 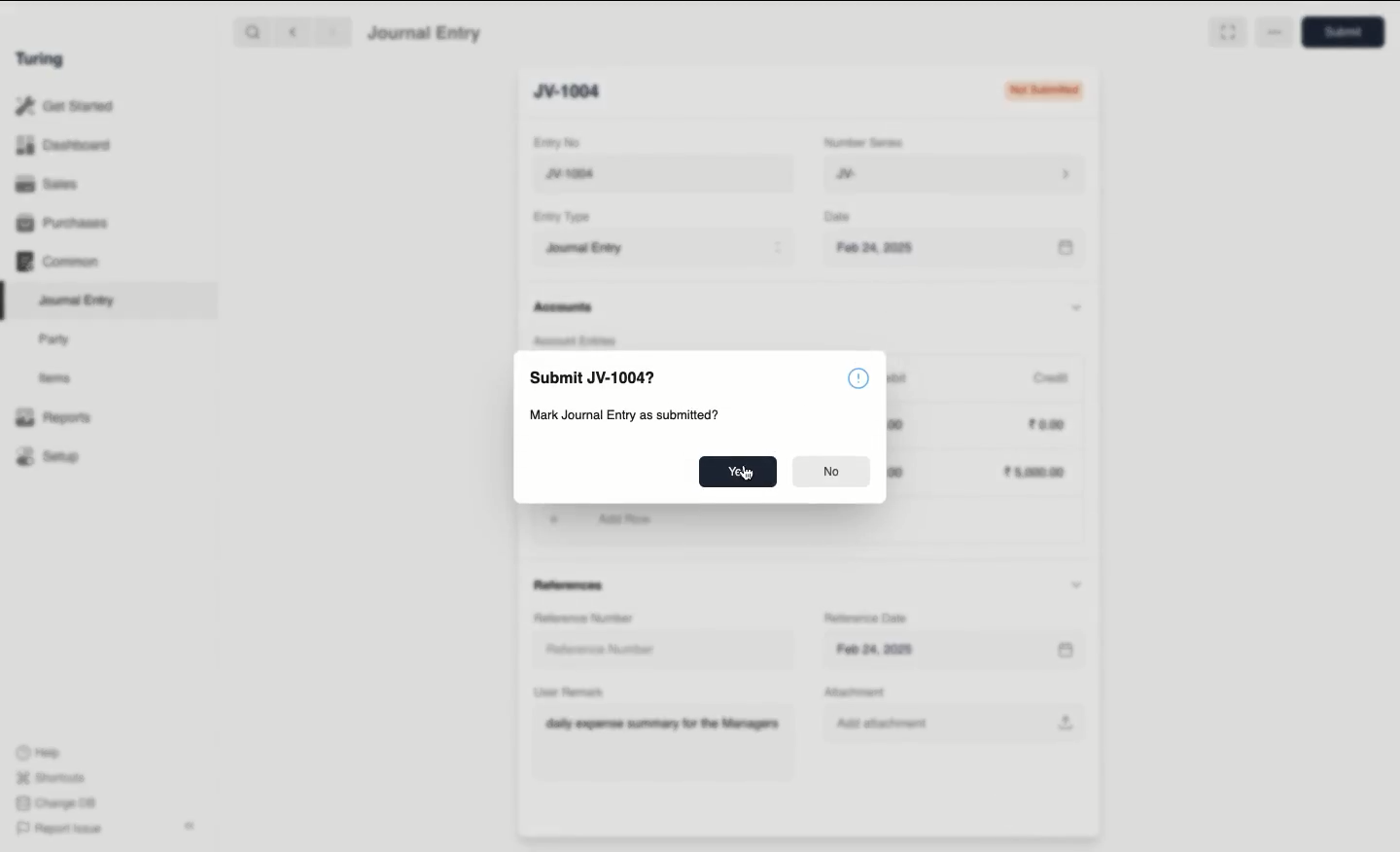 What do you see at coordinates (44, 60) in the screenshot?
I see `Turing` at bounding box center [44, 60].